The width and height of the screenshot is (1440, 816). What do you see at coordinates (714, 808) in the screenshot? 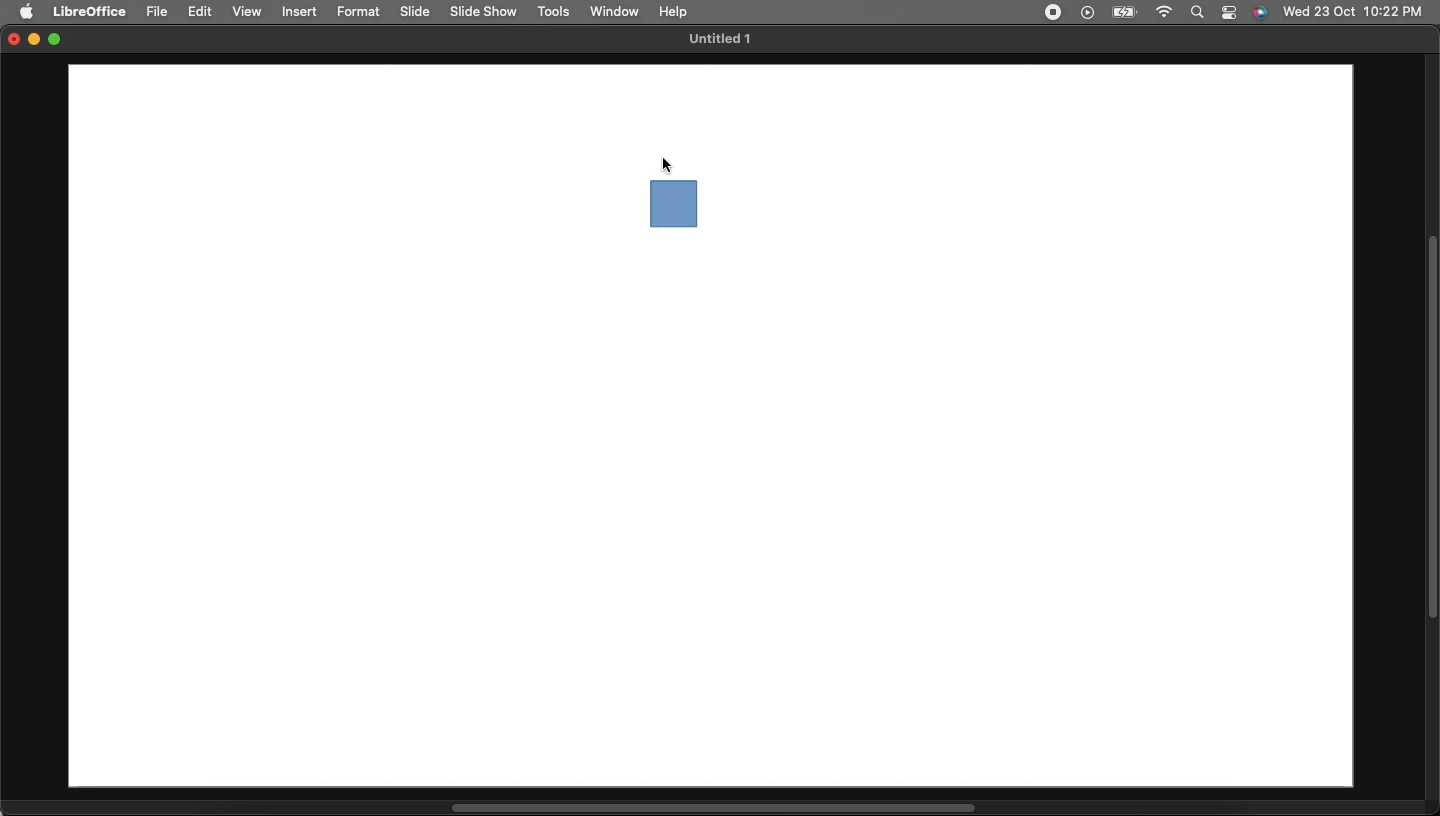
I see `Scroll` at bounding box center [714, 808].